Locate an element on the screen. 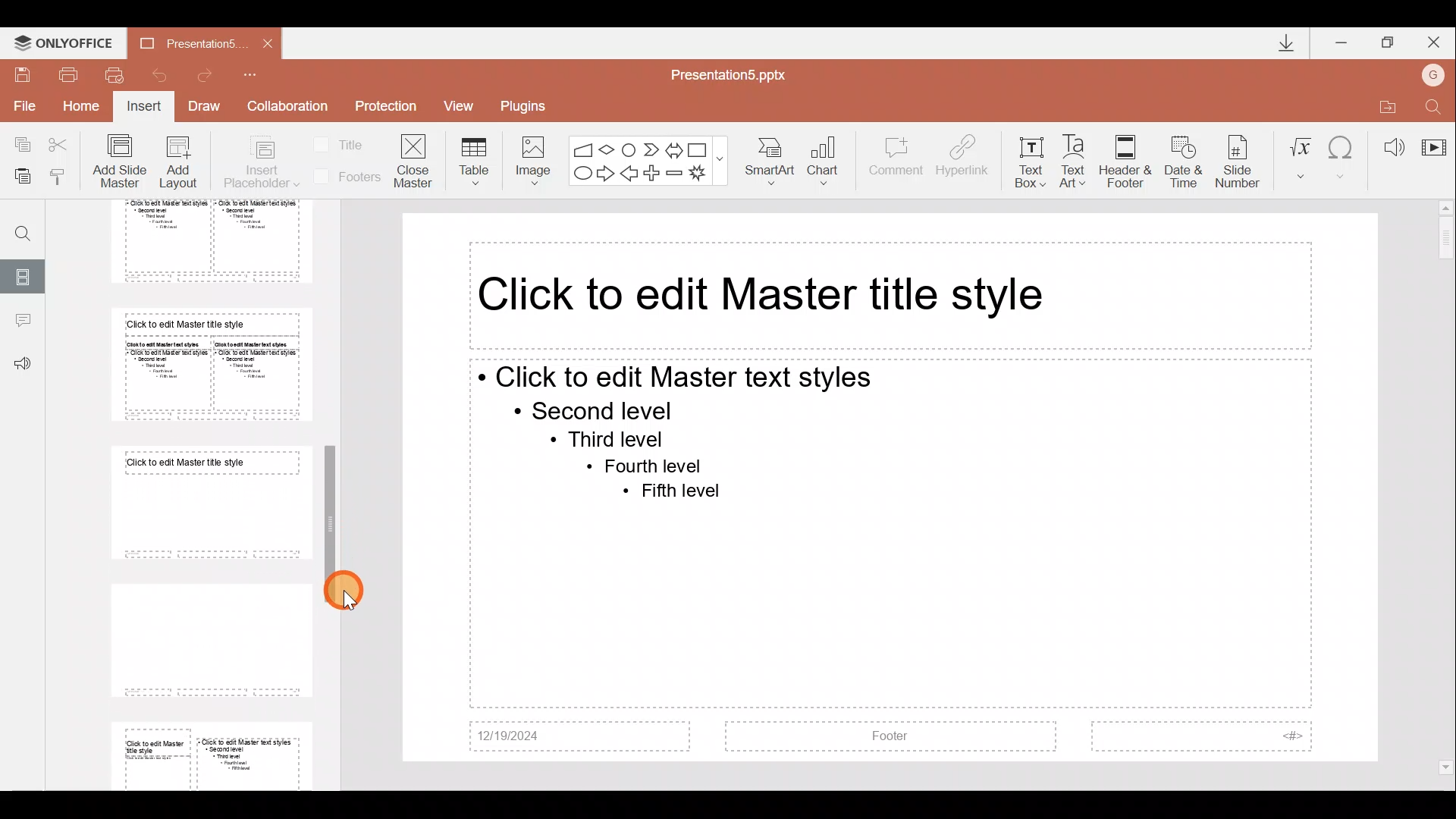 This screenshot has width=1456, height=819. Maximize is located at coordinates (1389, 40).